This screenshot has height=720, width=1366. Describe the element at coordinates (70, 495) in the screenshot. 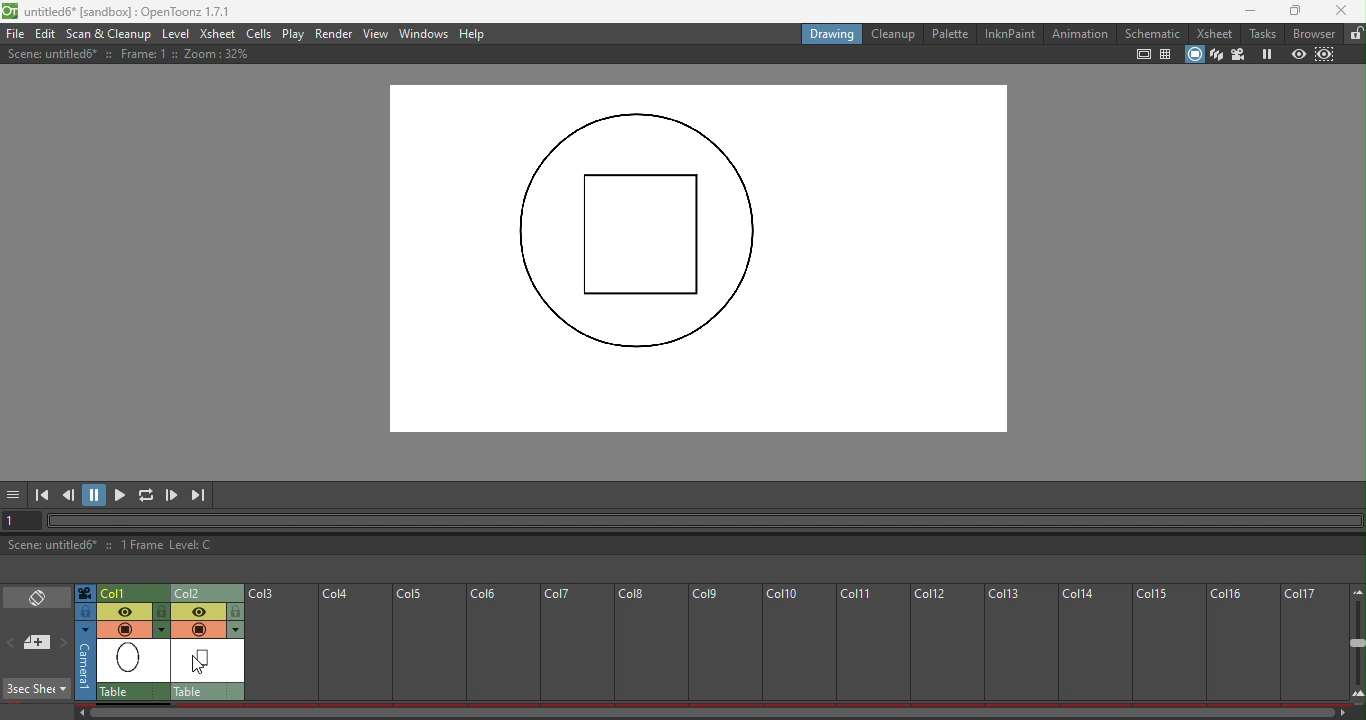

I see `Previous frame` at that location.